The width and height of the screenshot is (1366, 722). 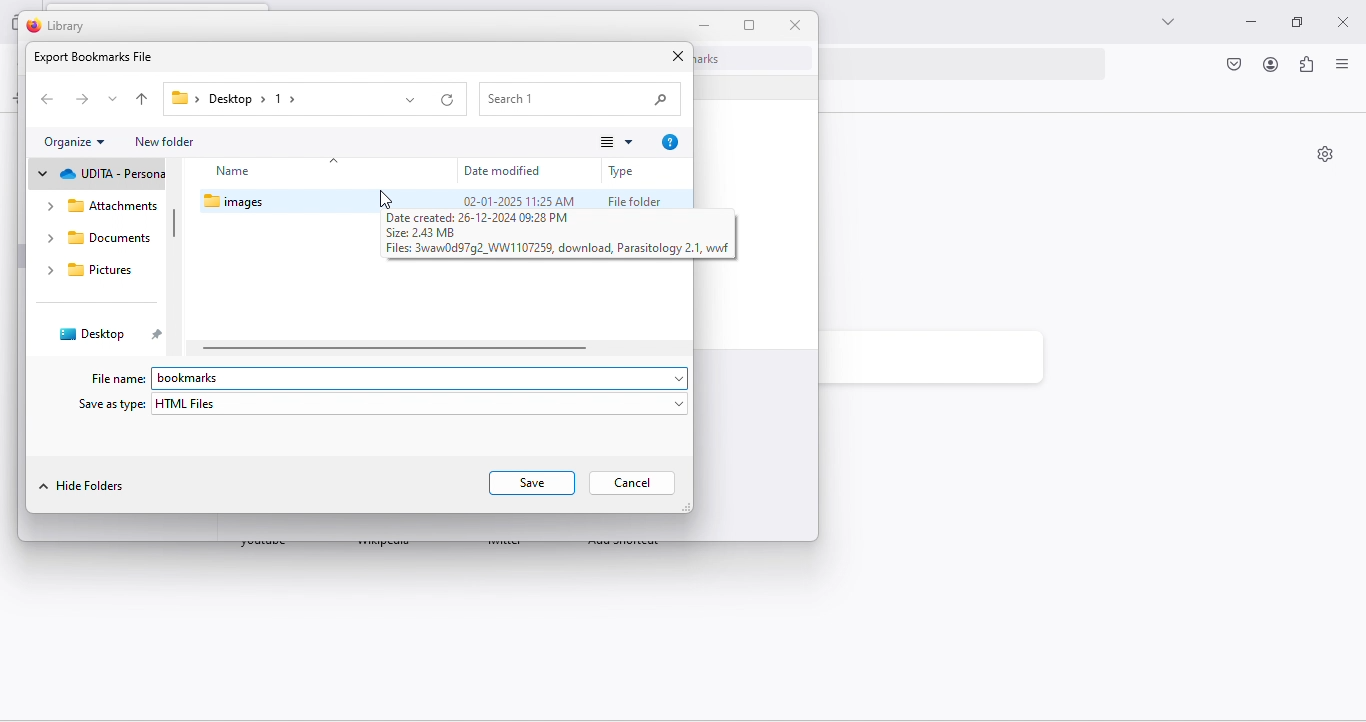 What do you see at coordinates (144, 99) in the screenshot?
I see `up` at bounding box center [144, 99].